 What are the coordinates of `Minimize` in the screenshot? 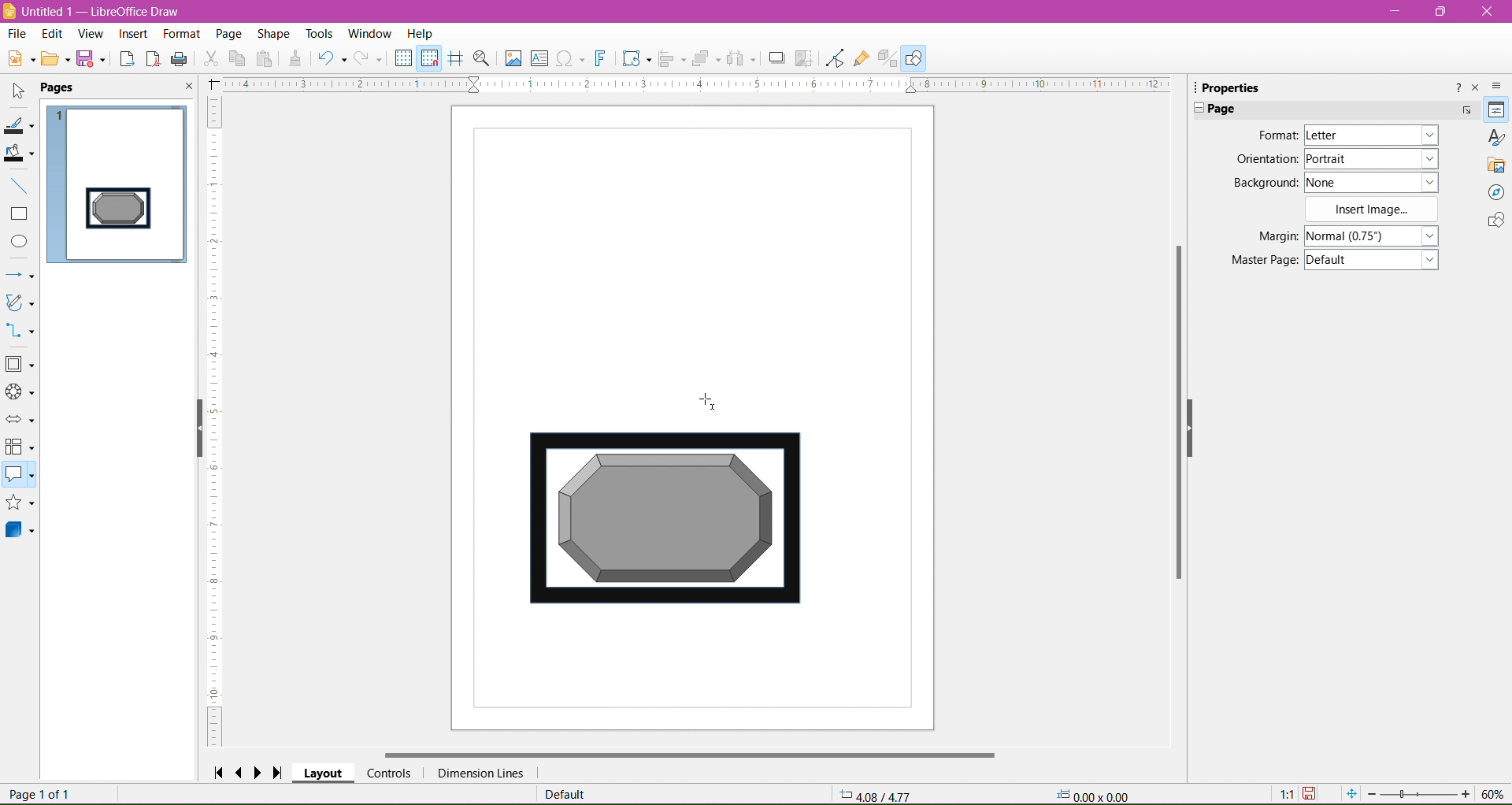 It's located at (1396, 10).